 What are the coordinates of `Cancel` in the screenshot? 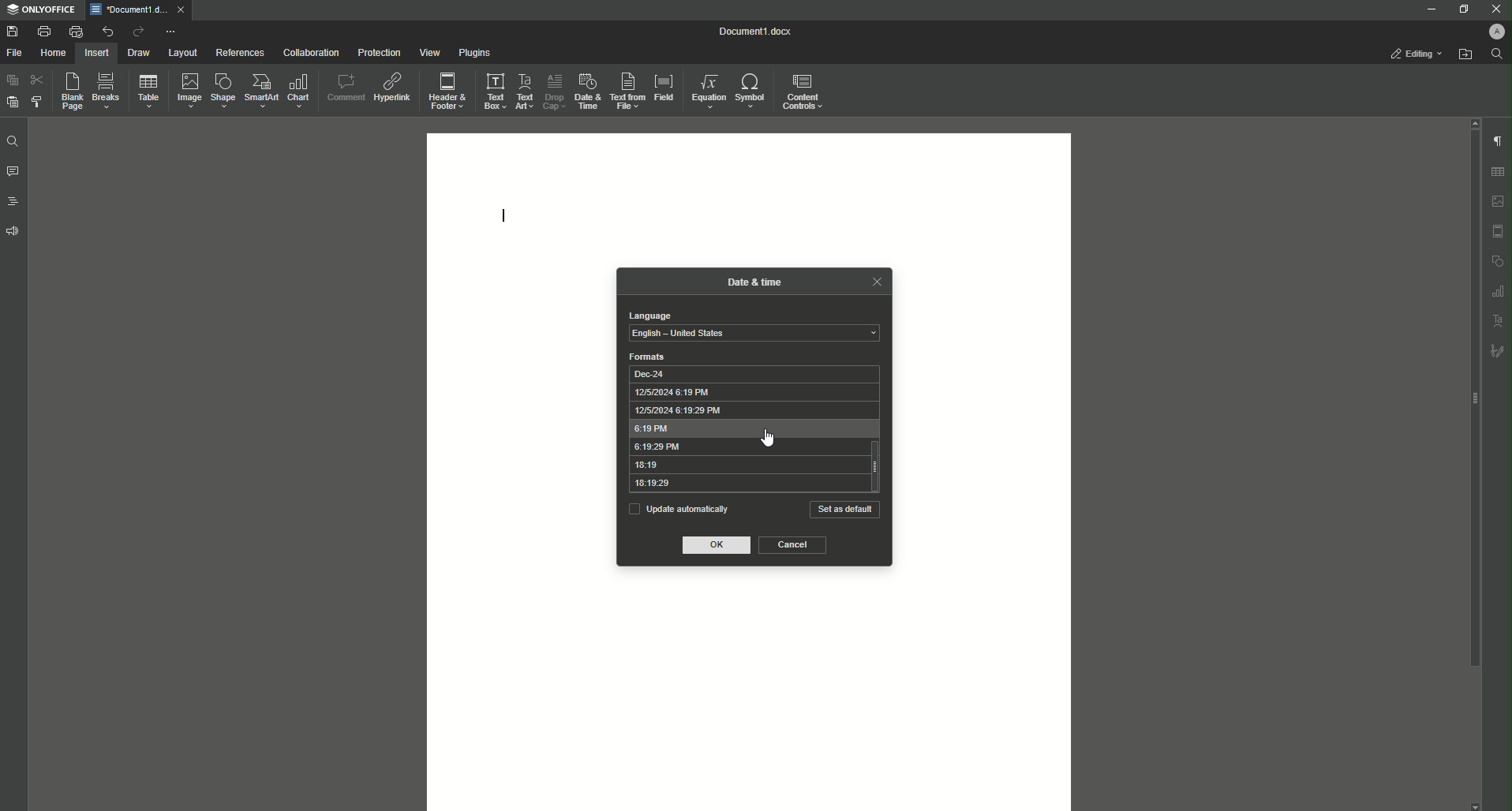 It's located at (793, 545).